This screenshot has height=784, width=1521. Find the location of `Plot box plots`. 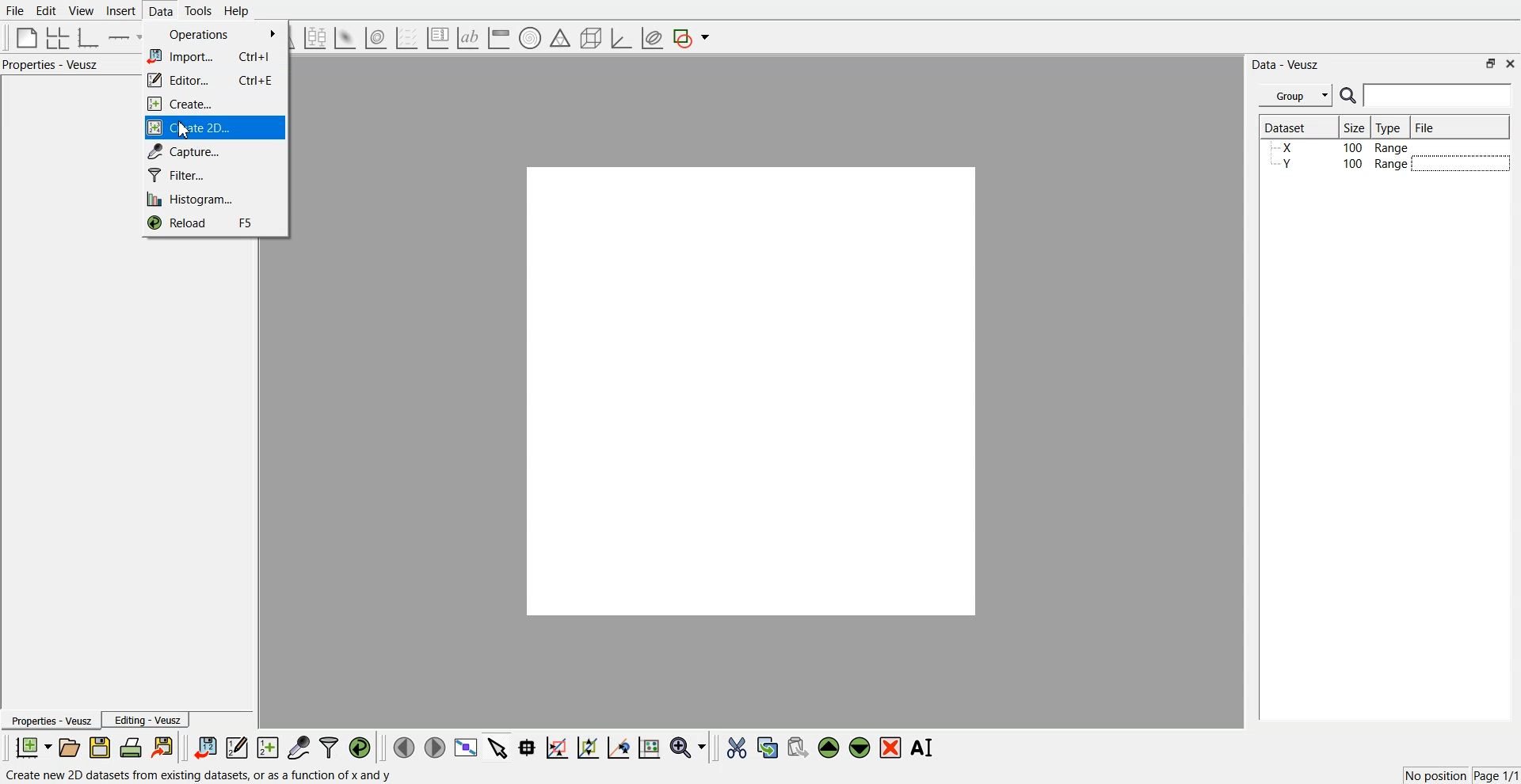

Plot box plots is located at coordinates (315, 38).